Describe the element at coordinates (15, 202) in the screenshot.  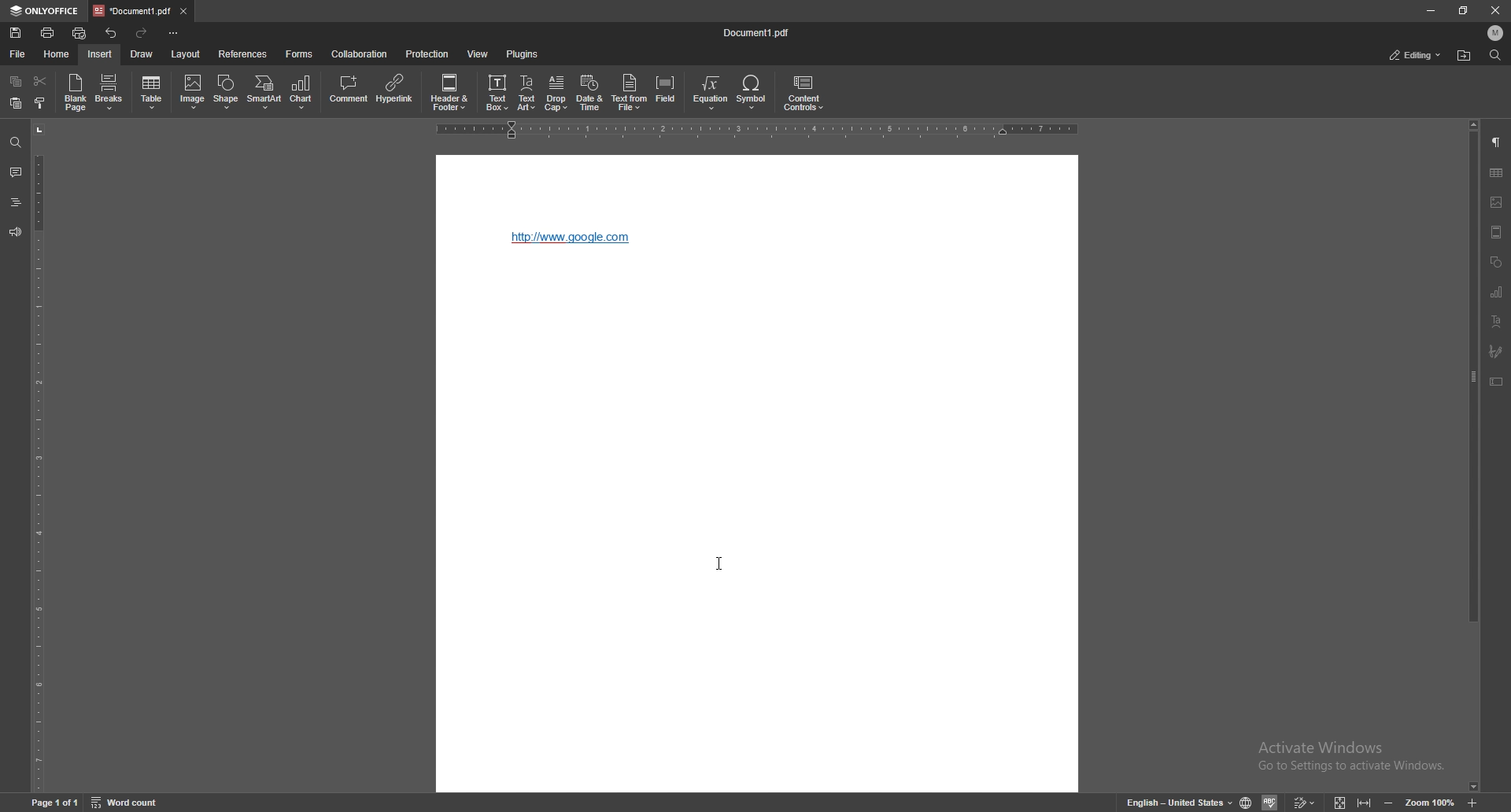
I see `headings` at that location.